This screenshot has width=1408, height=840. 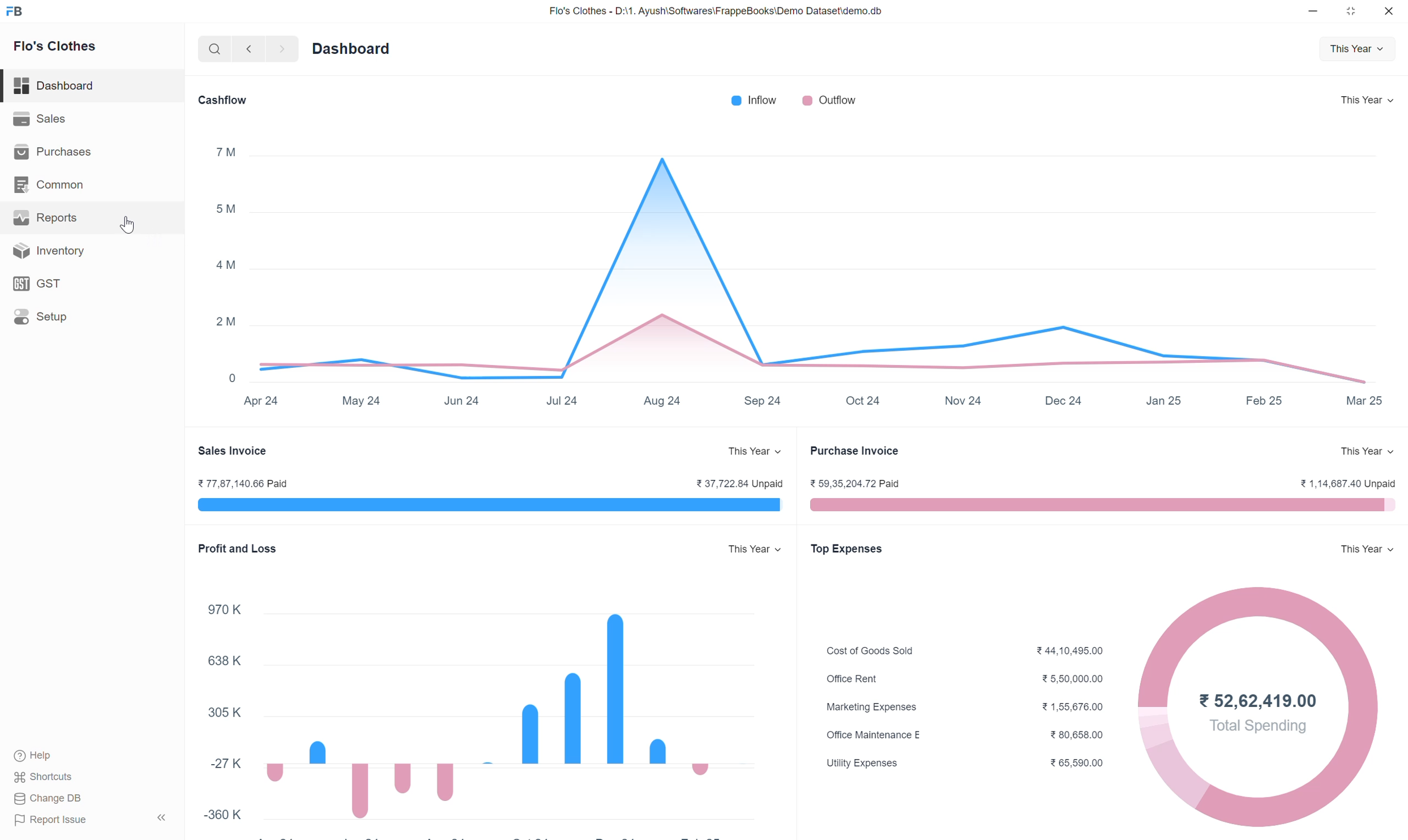 I want to click on minimize, so click(x=1312, y=11).